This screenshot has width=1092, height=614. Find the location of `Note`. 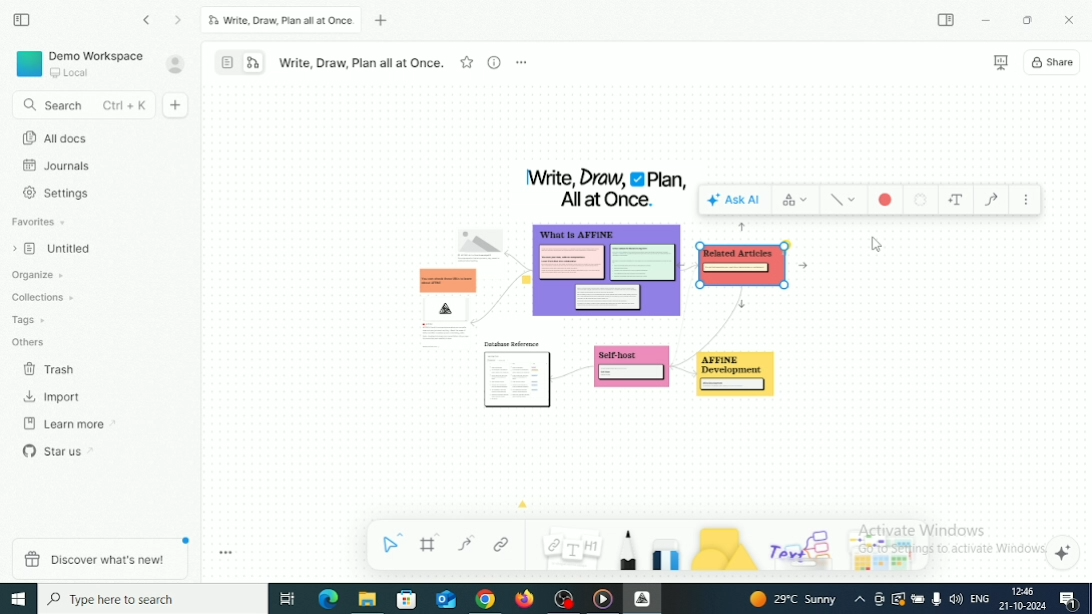

Note is located at coordinates (570, 546).